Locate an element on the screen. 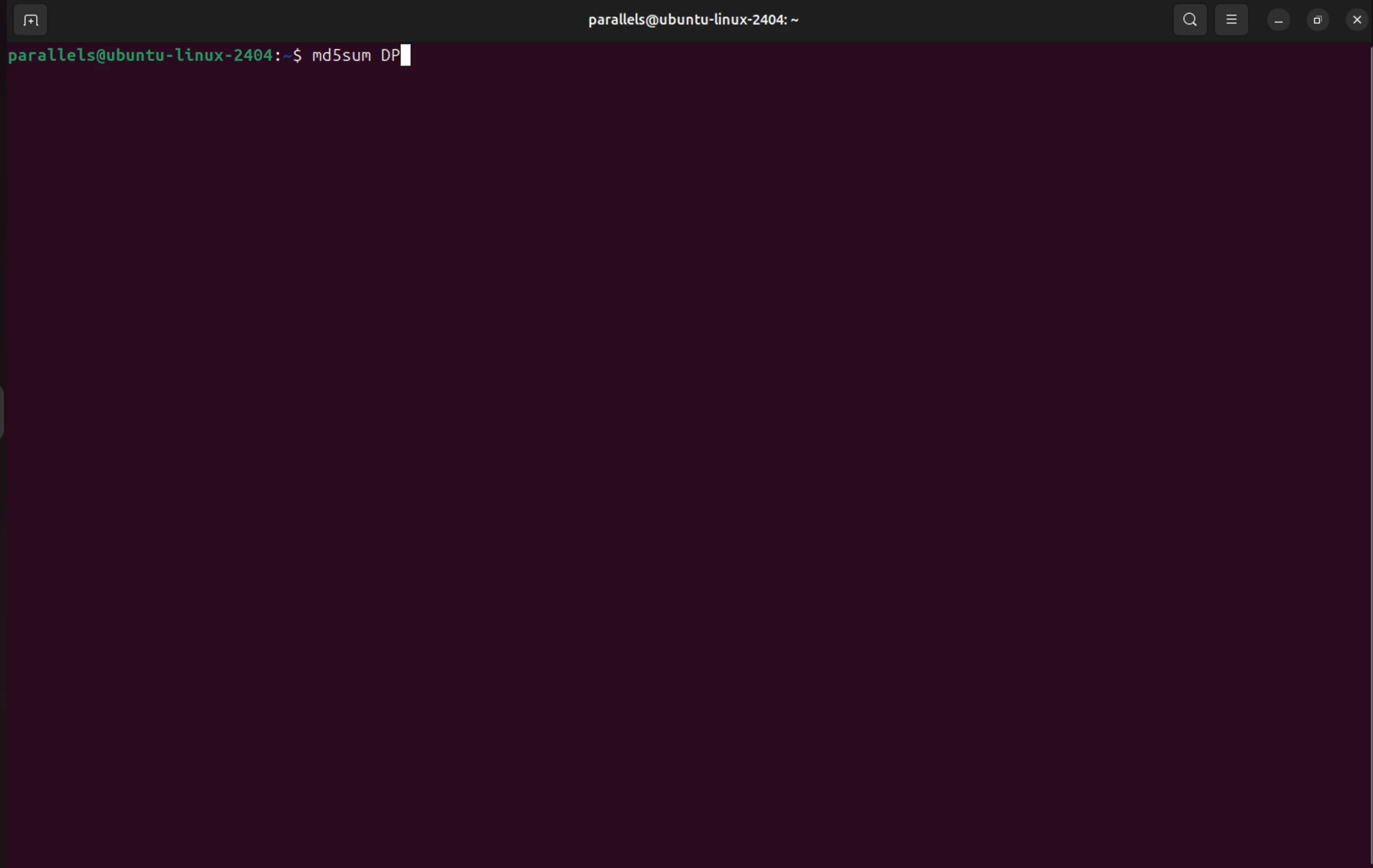 The height and width of the screenshot is (868, 1373). userprofile is located at coordinates (698, 21).